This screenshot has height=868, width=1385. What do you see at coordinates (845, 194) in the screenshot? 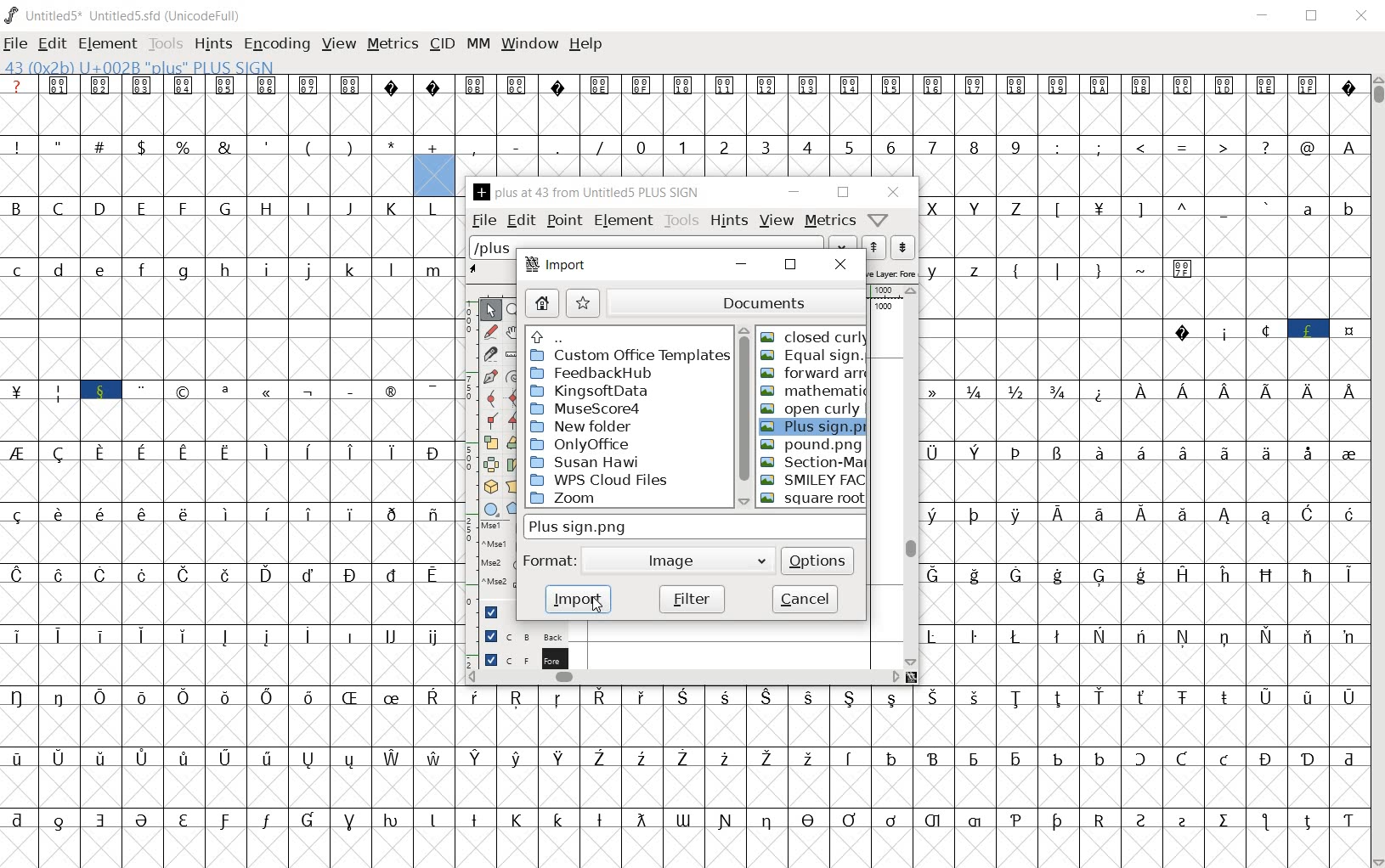
I see `restore` at bounding box center [845, 194].